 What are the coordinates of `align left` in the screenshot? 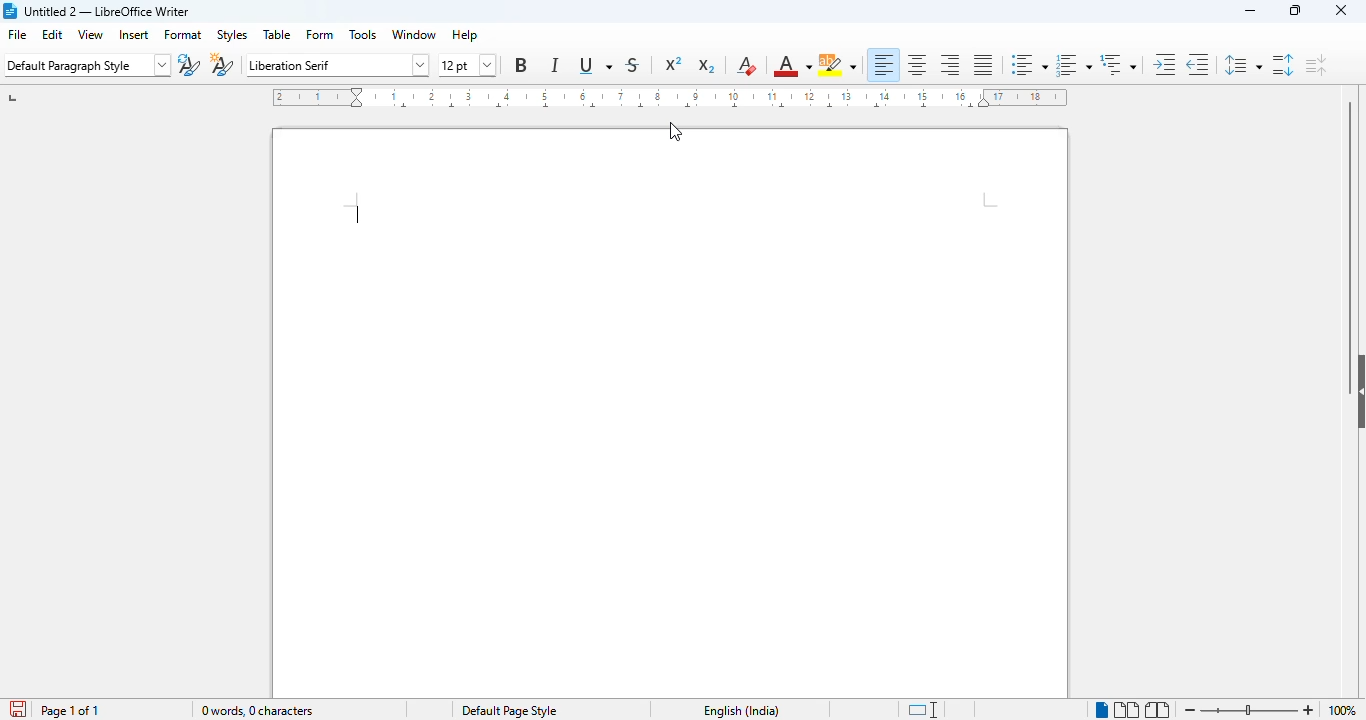 It's located at (884, 64).